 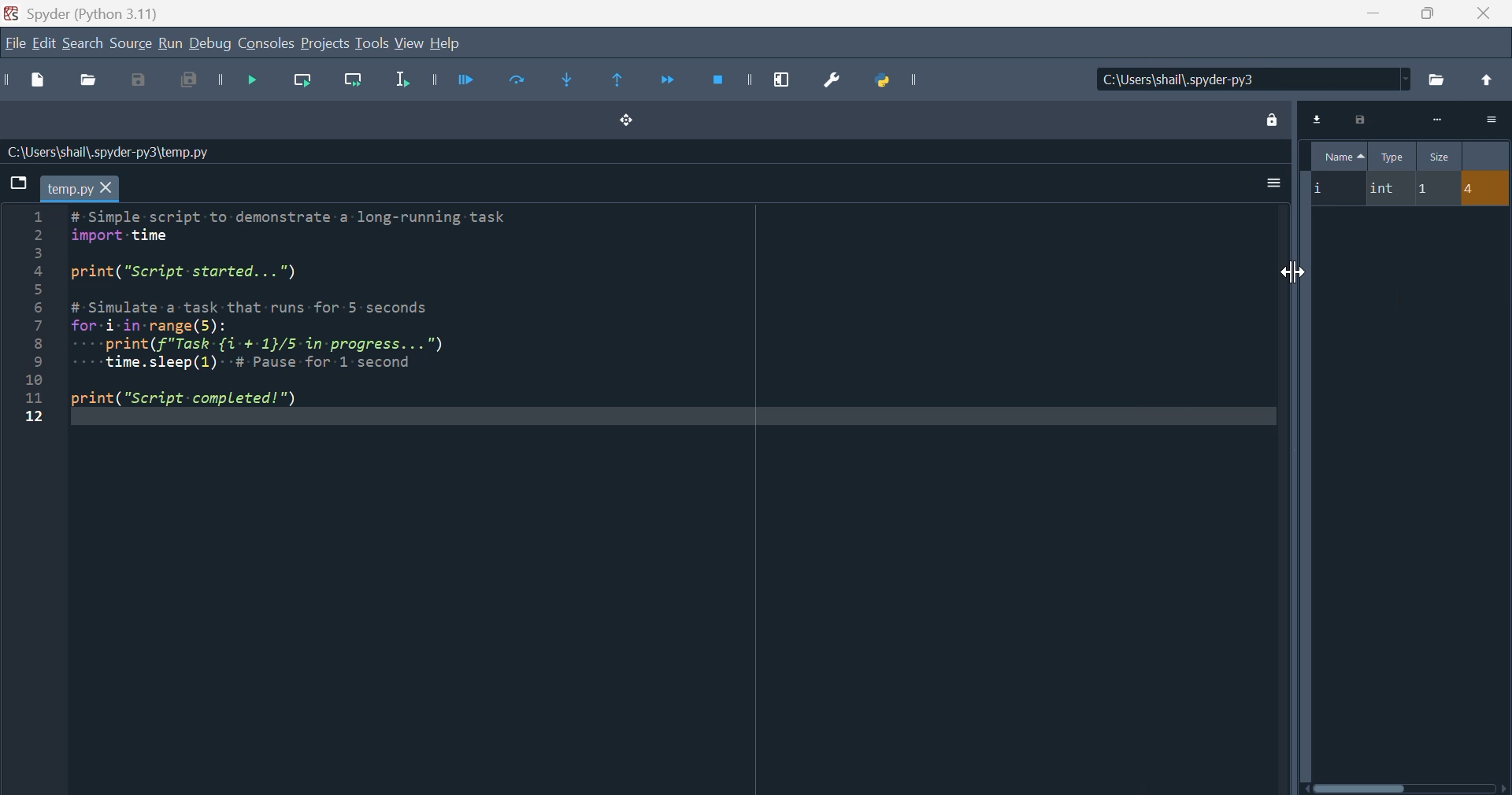 What do you see at coordinates (1406, 788) in the screenshot?
I see `scrollbar` at bounding box center [1406, 788].